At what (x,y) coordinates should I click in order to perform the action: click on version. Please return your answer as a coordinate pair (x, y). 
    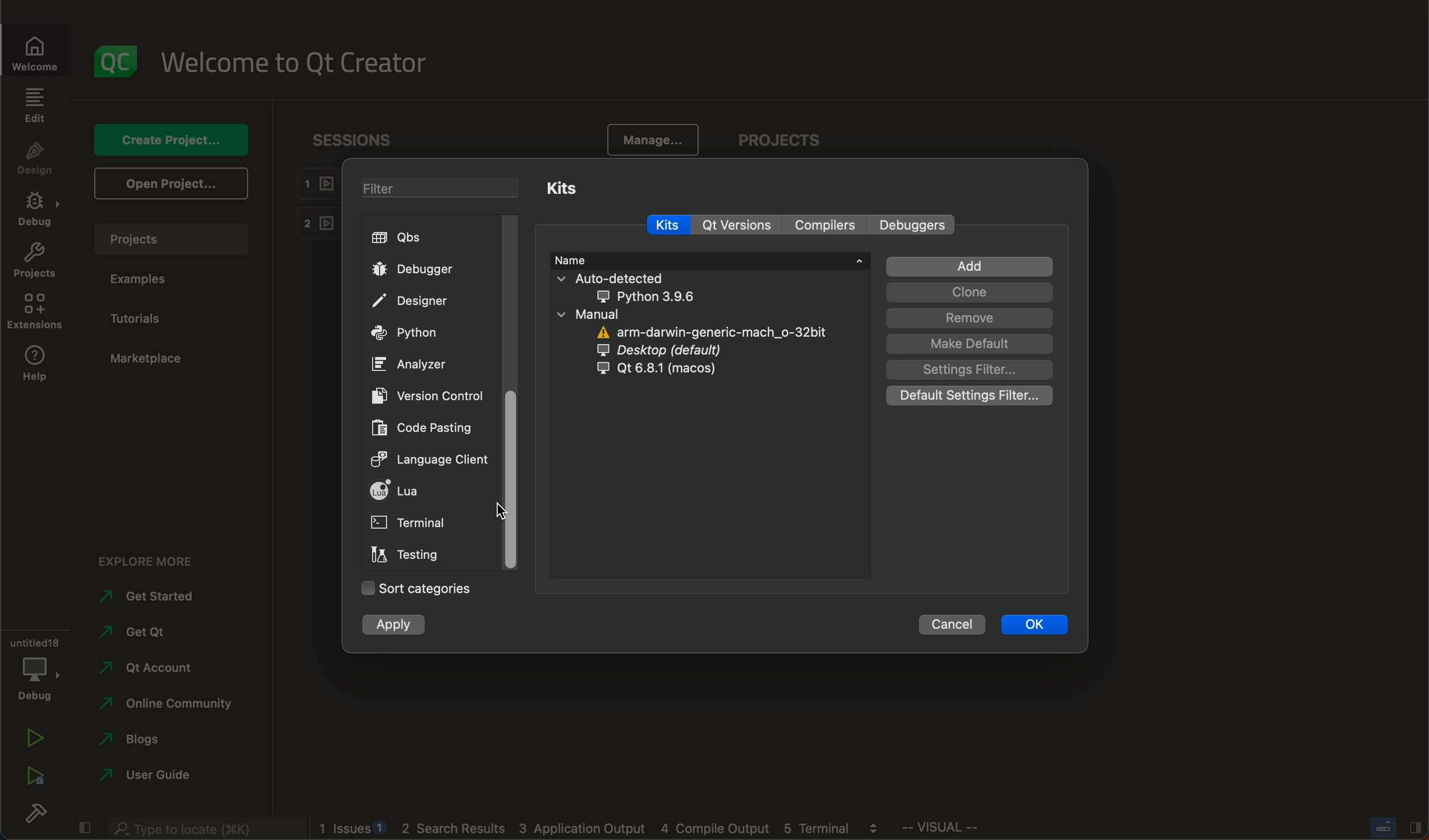
    Looking at the image, I should click on (434, 394).